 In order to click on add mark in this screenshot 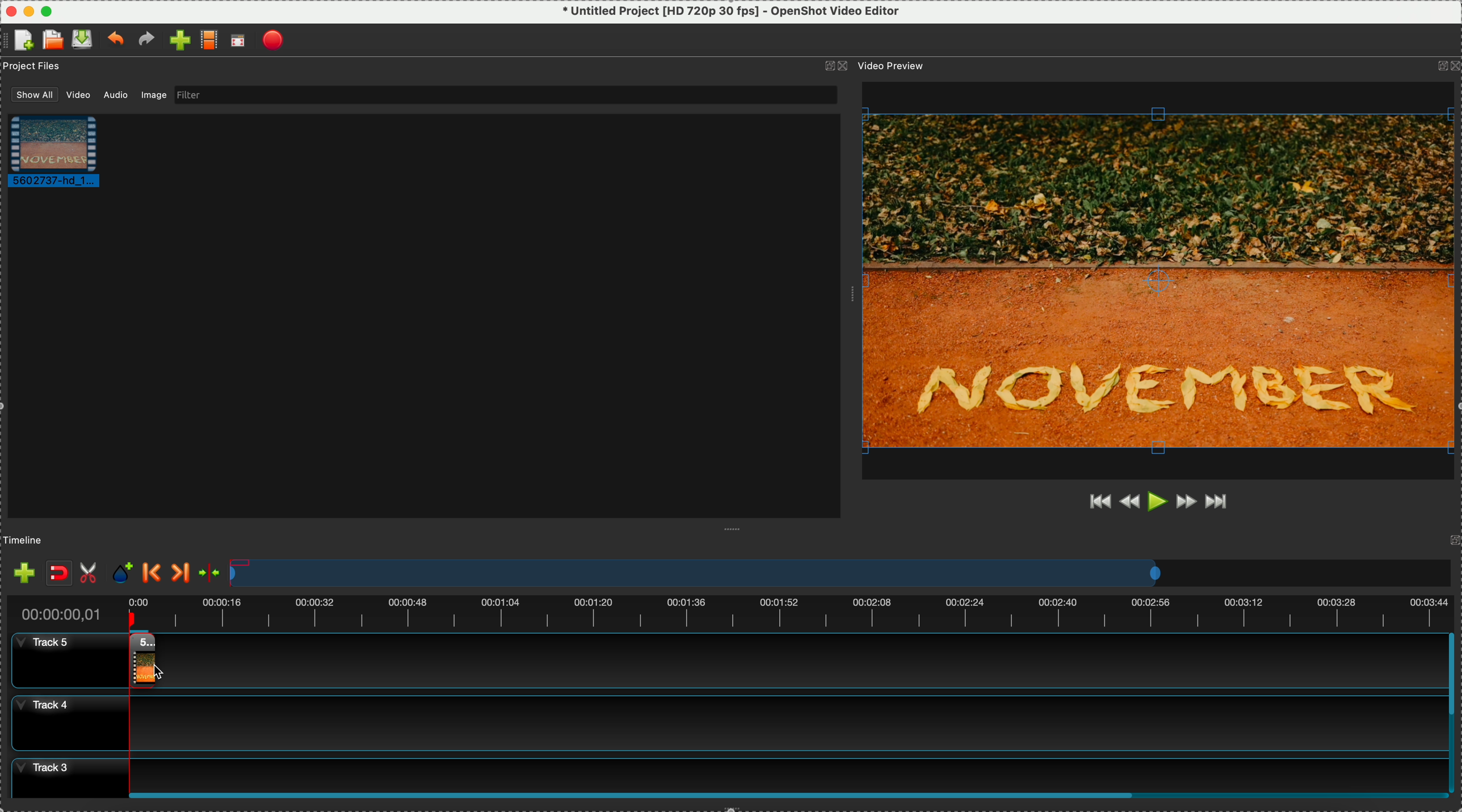, I will do `click(125, 573)`.